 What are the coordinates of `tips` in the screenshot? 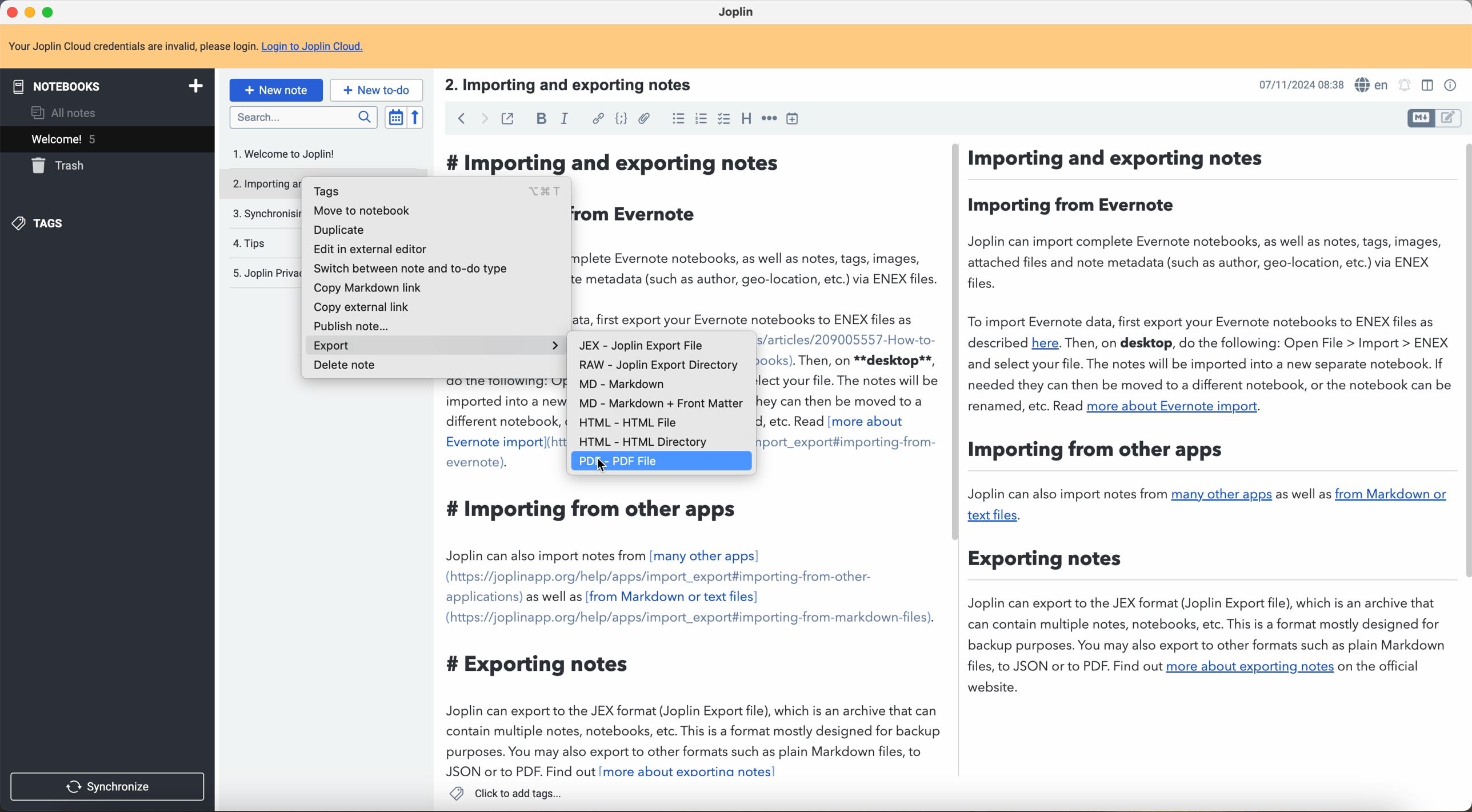 It's located at (250, 242).